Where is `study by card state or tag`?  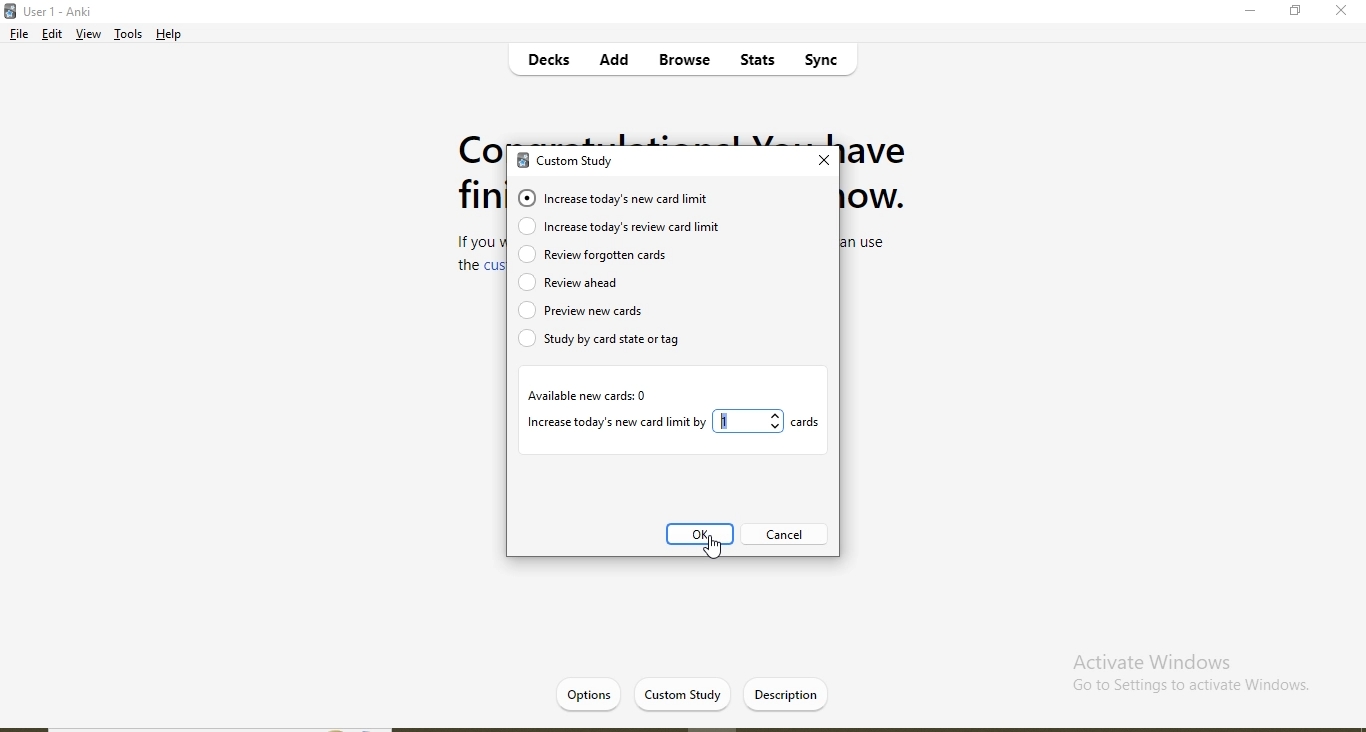
study by card state or tag is located at coordinates (613, 342).